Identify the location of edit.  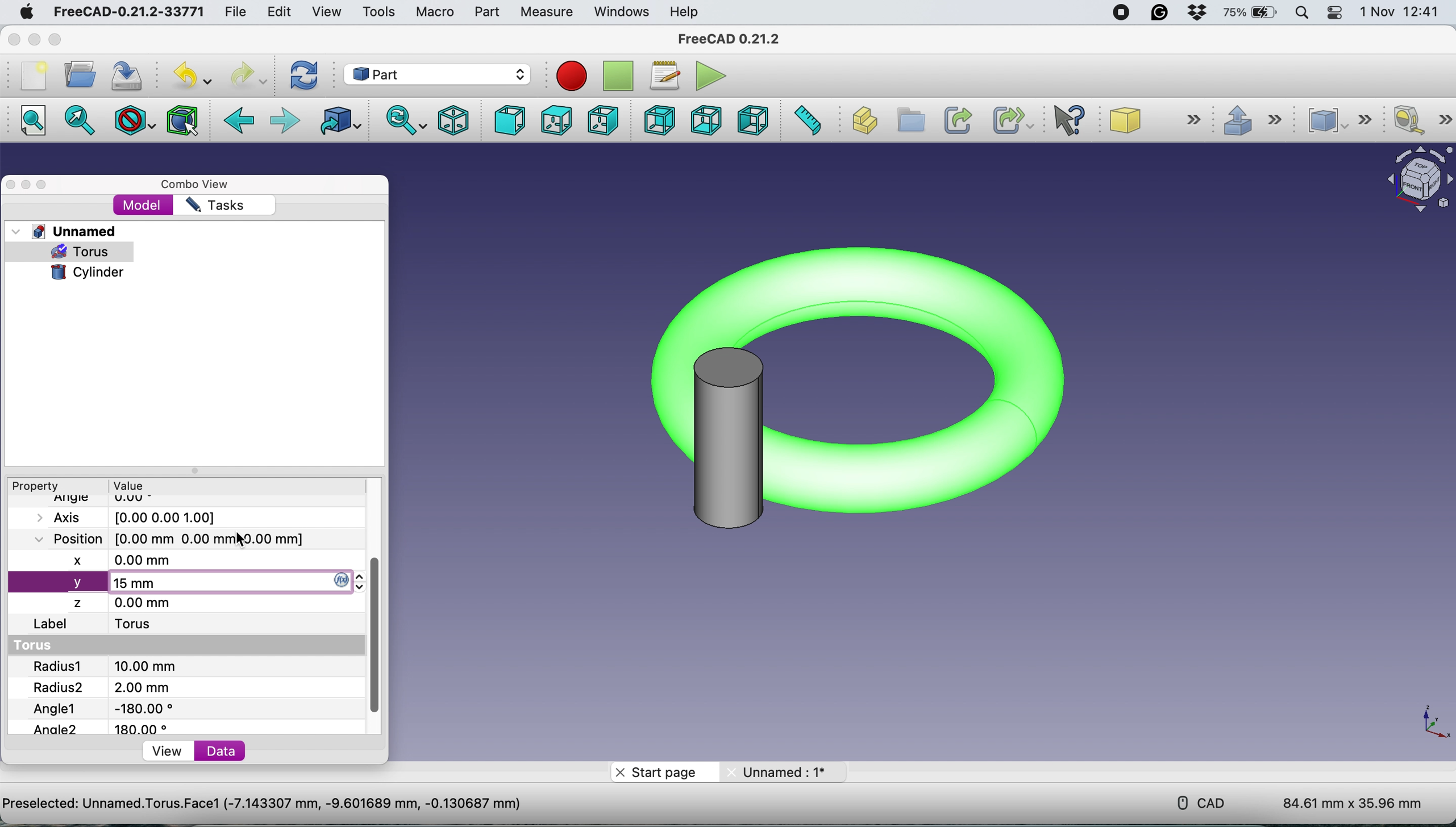
(277, 12).